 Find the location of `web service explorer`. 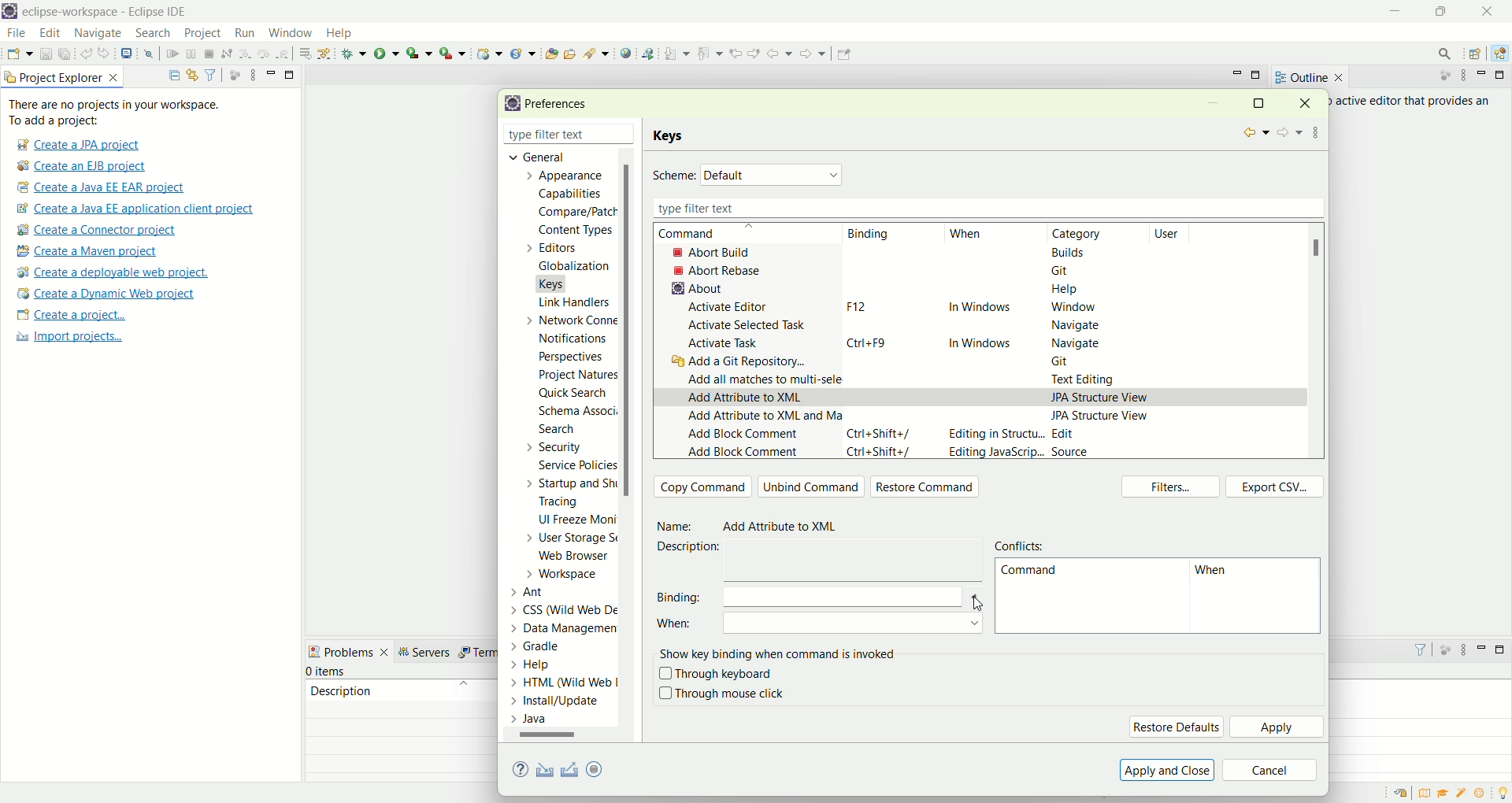

web service explorer is located at coordinates (647, 53).